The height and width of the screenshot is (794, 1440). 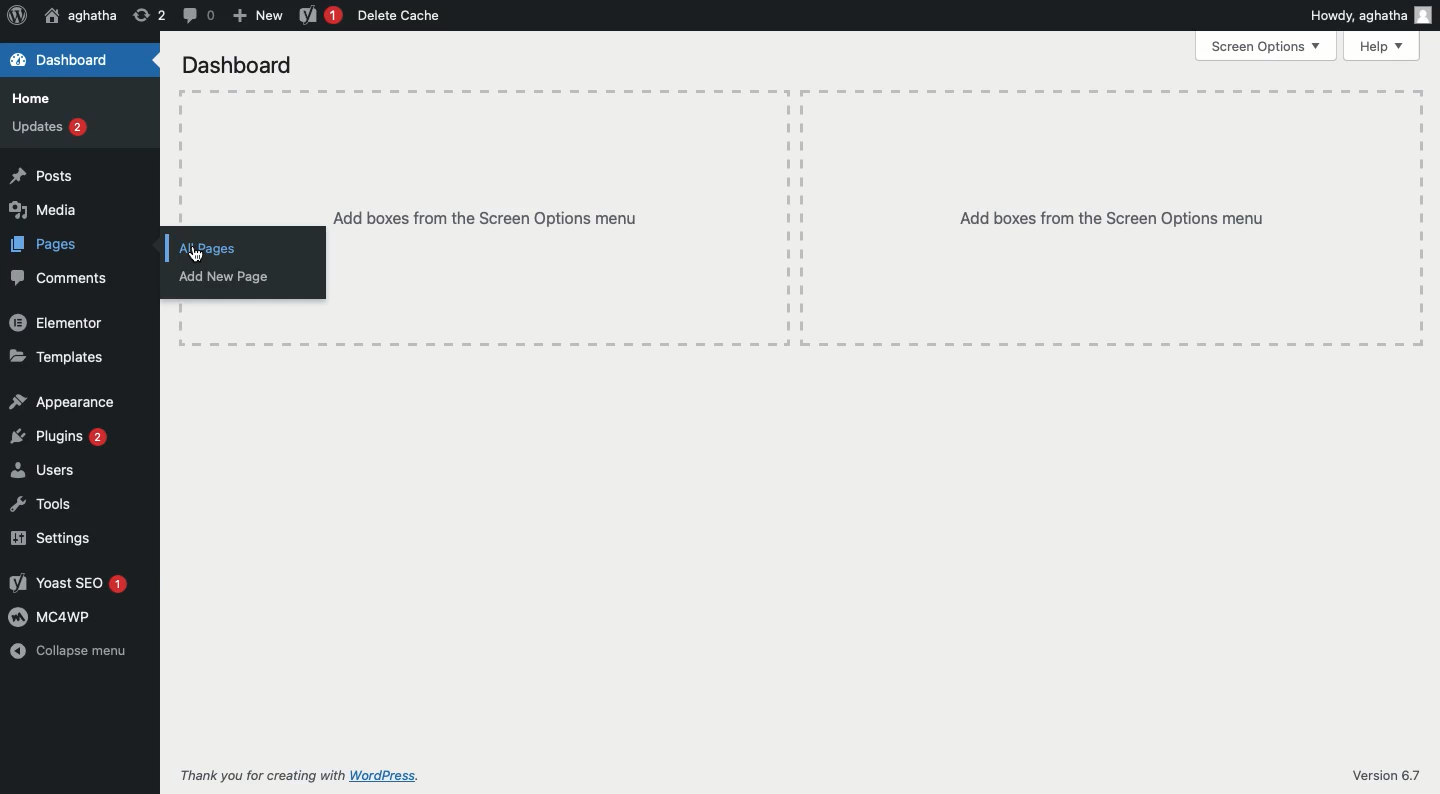 What do you see at coordinates (66, 583) in the screenshot?
I see `Yoast` at bounding box center [66, 583].